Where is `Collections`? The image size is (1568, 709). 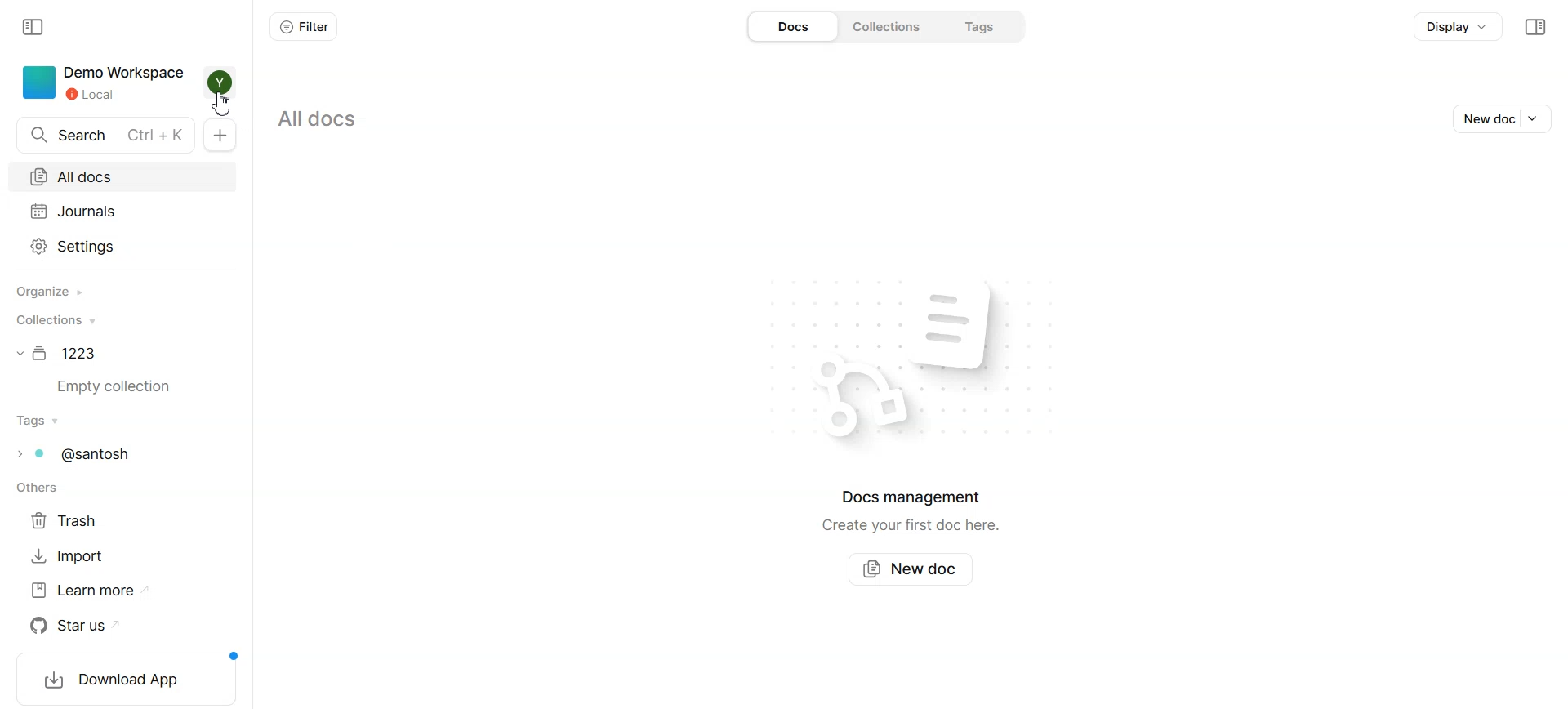
Collections is located at coordinates (892, 27).